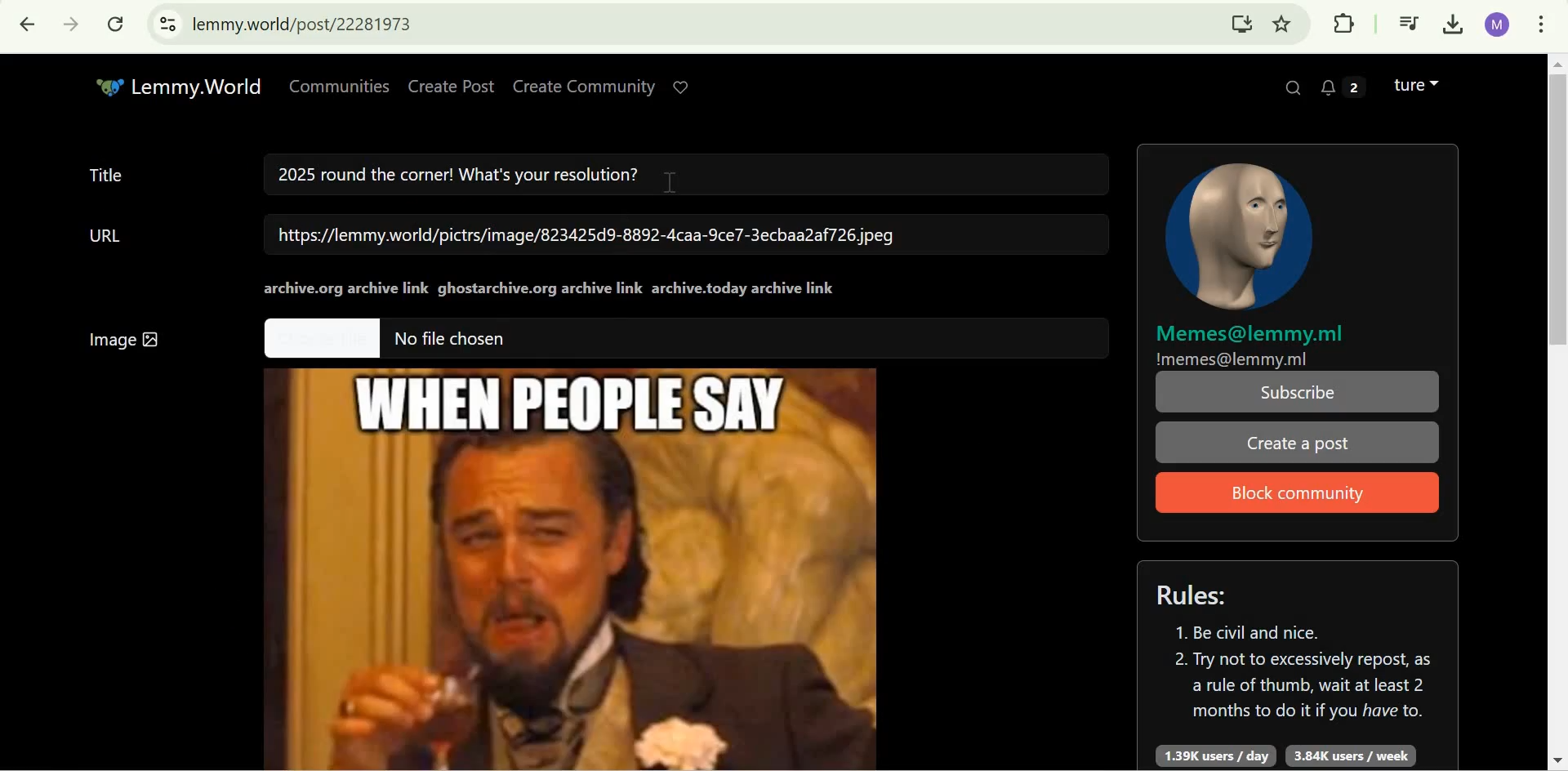 The image size is (1568, 771). What do you see at coordinates (321, 339) in the screenshot?
I see `` at bounding box center [321, 339].